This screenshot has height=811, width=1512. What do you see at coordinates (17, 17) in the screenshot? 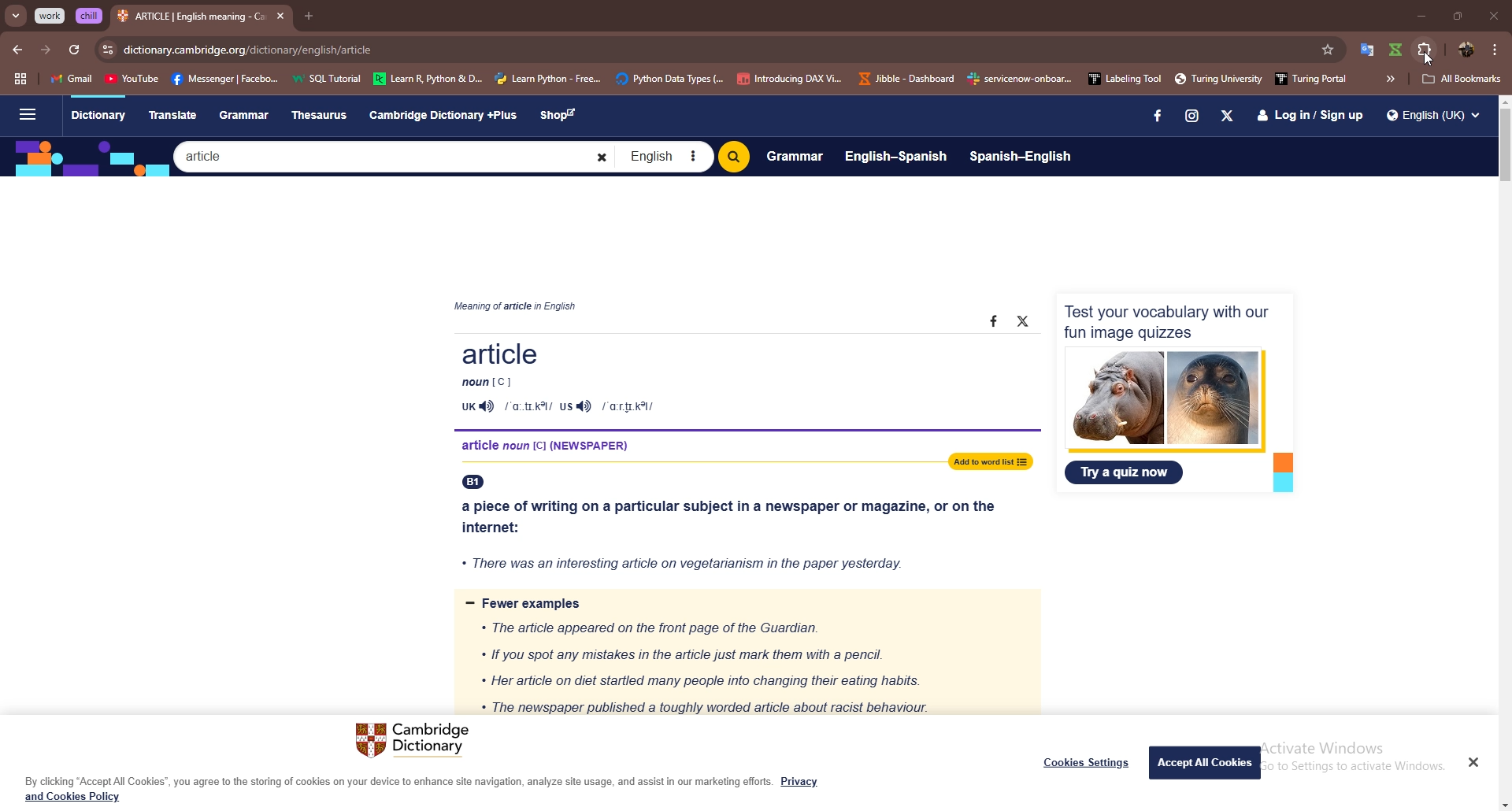
I see `search tabs` at bounding box center [17, 17].